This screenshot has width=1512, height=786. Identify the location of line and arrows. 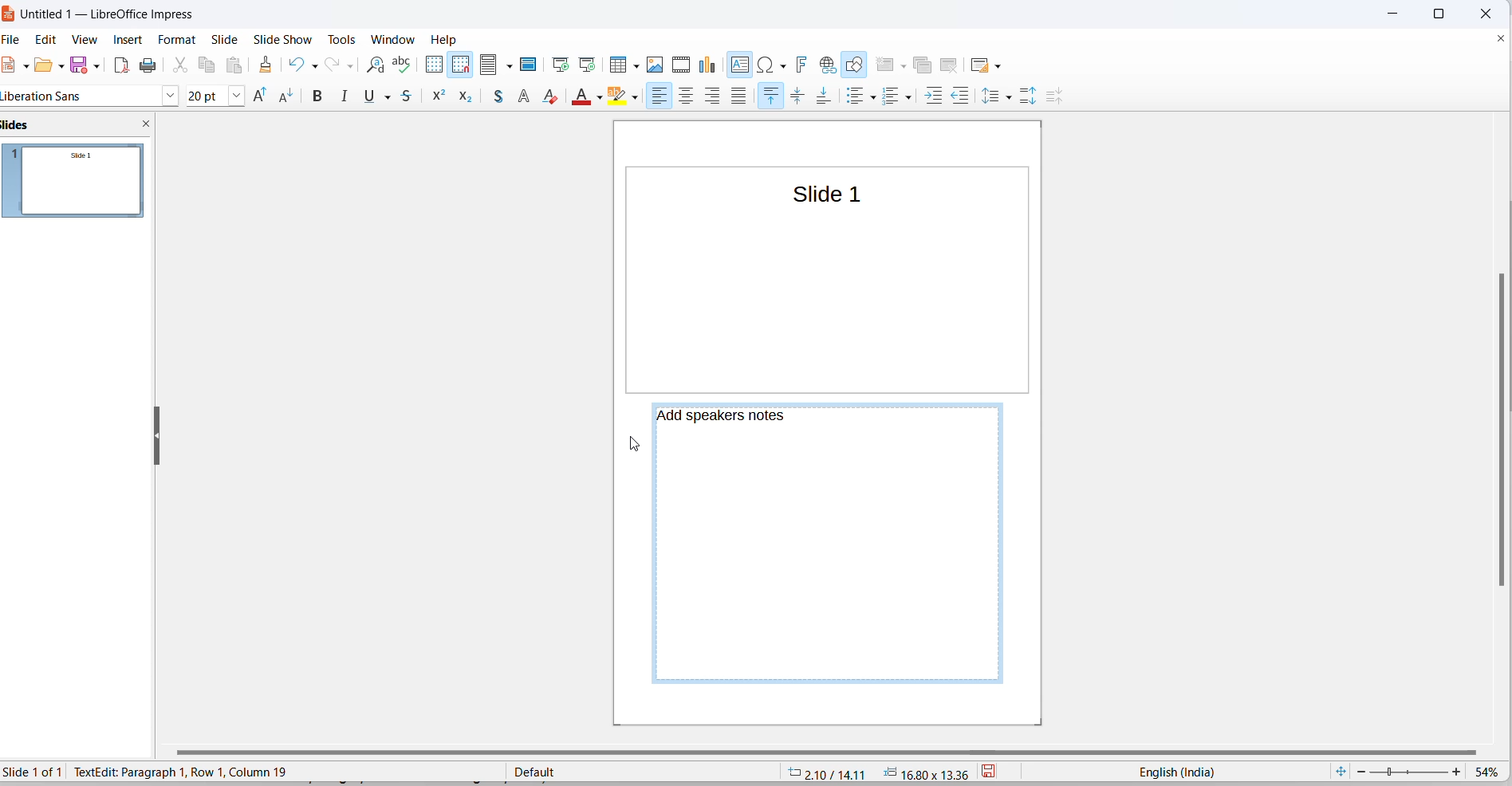
(229, 97).